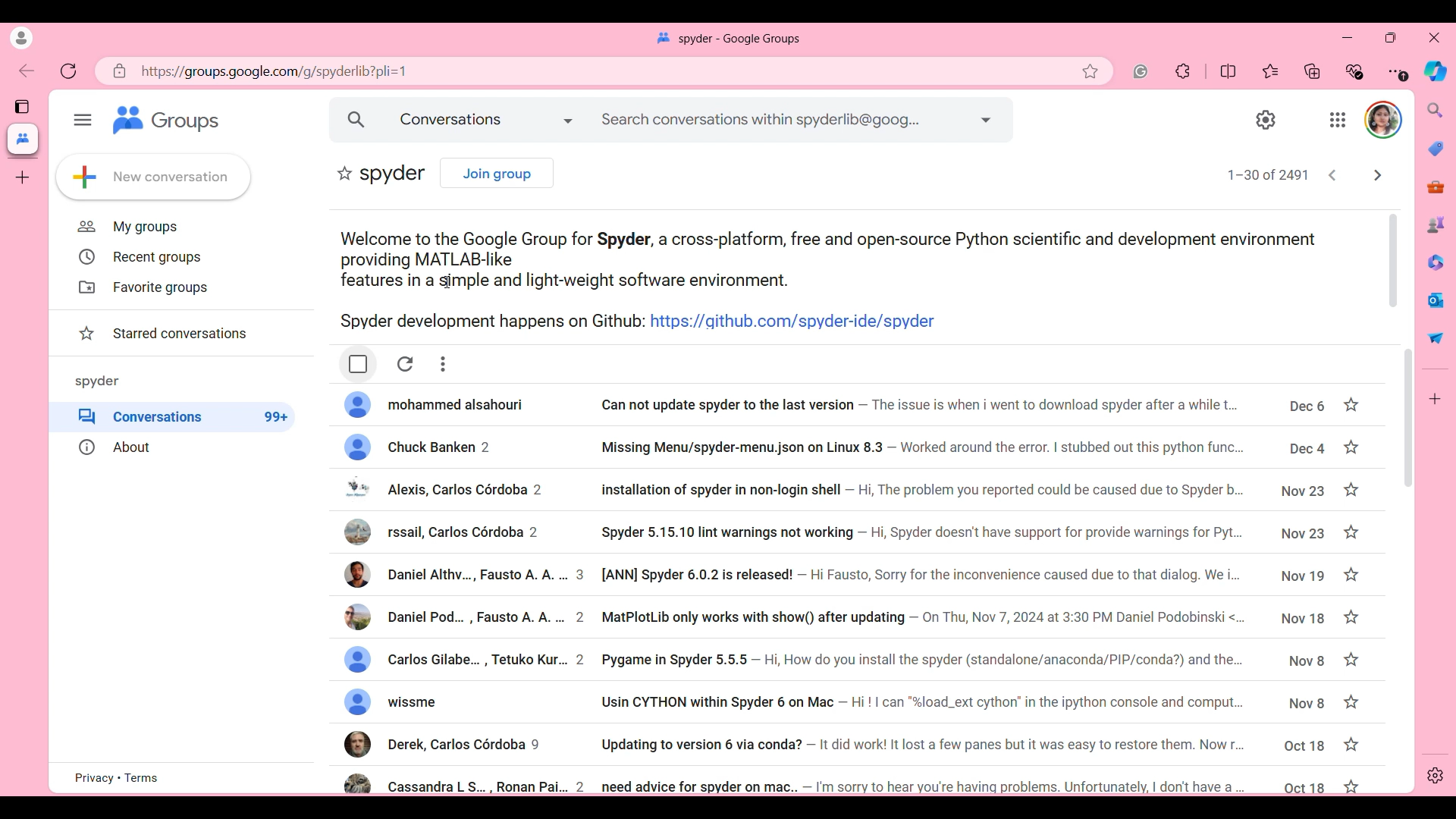  What do you see at coordinates (168, 120) in the screenshot?
I see `Groups` at bounding box center [168, 120].